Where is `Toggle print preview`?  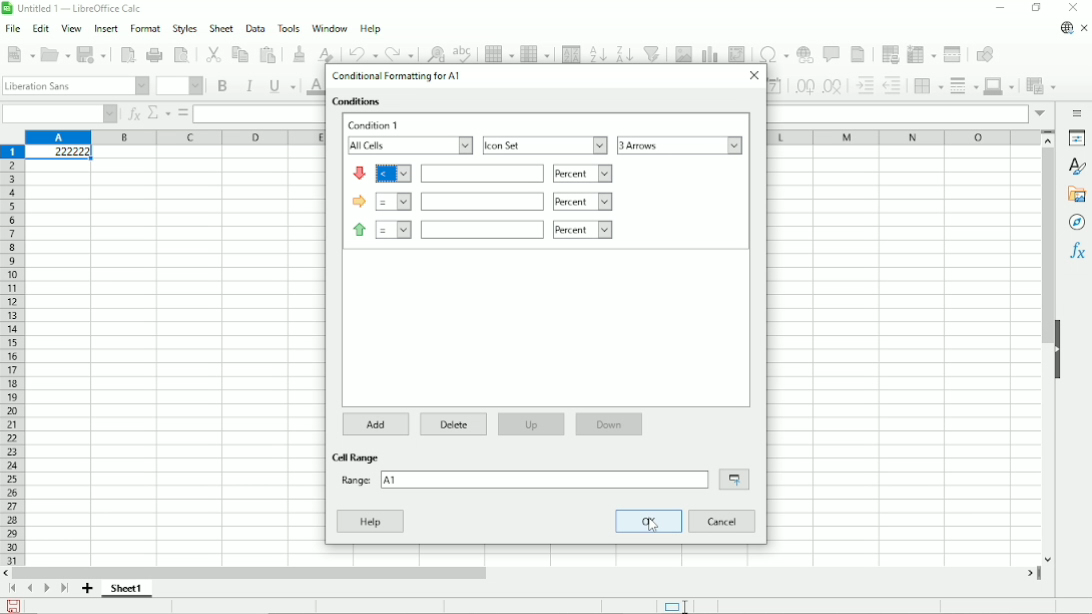
Toggle print preview is located at coordinates (181, 55).